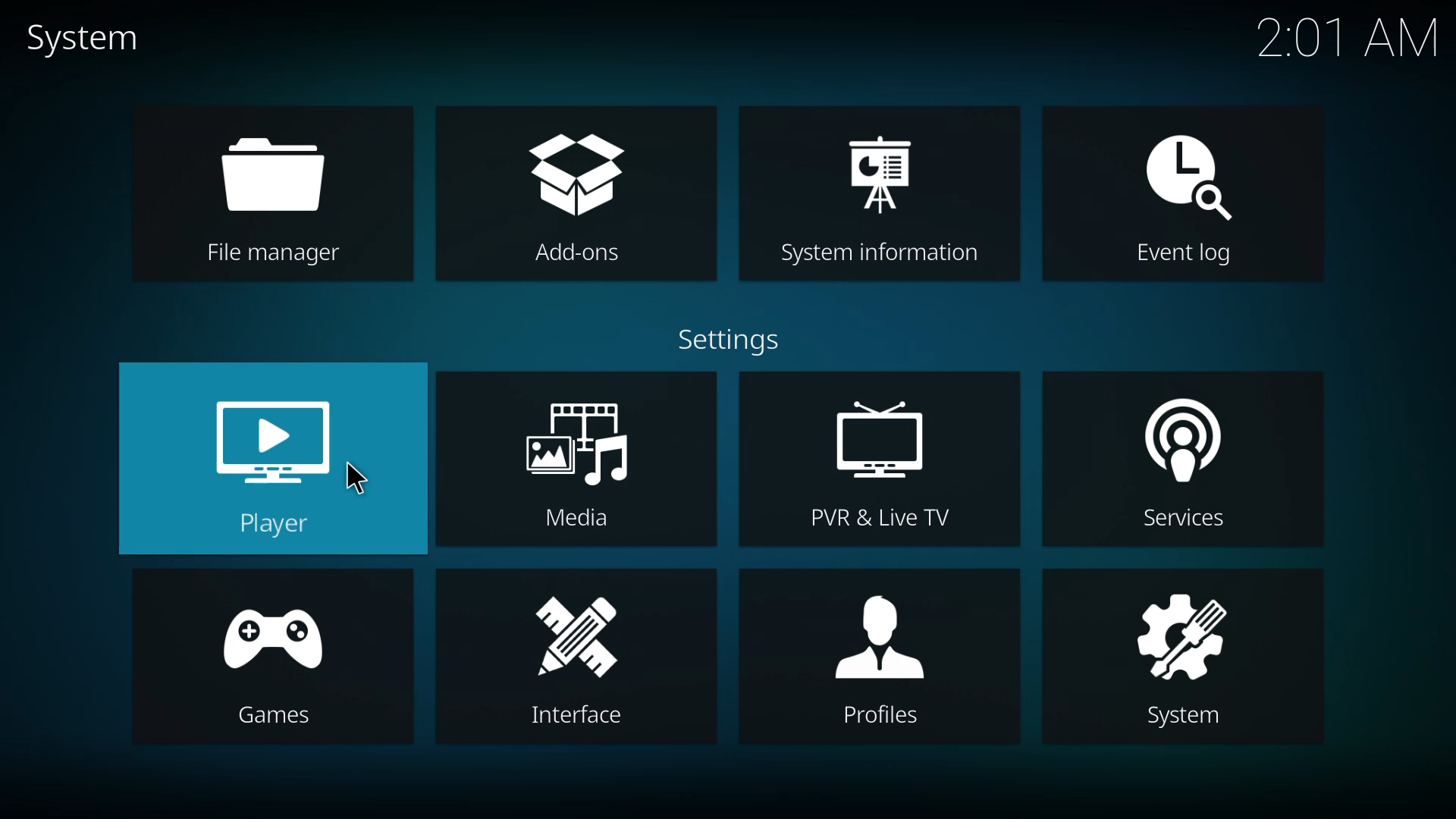 The width and height of the screenshot is (1456, 819). I want to click on player, so click(274, 461).